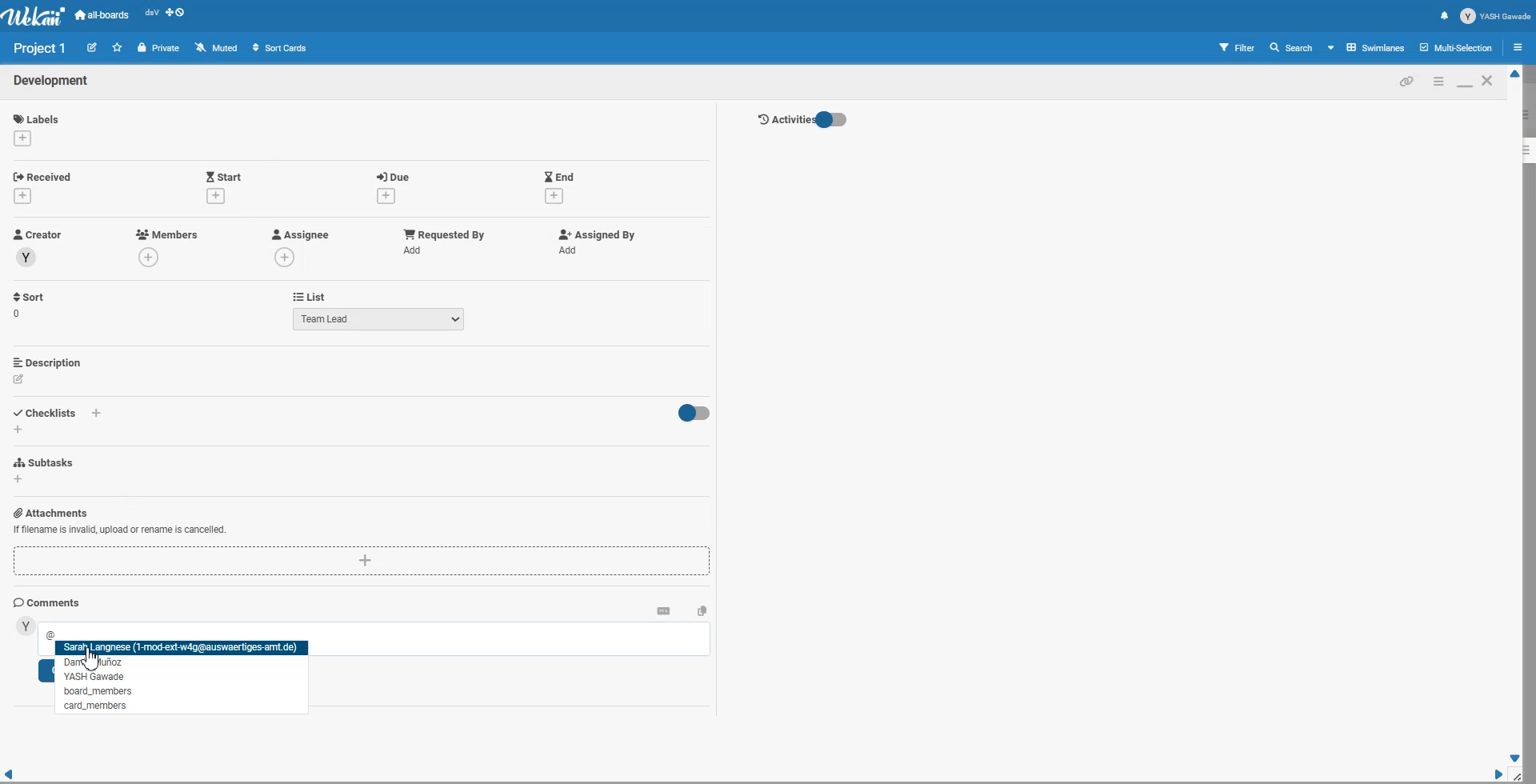  Describe the element at coordinates (22, 138) in the screenshot. I see `add` at that location.